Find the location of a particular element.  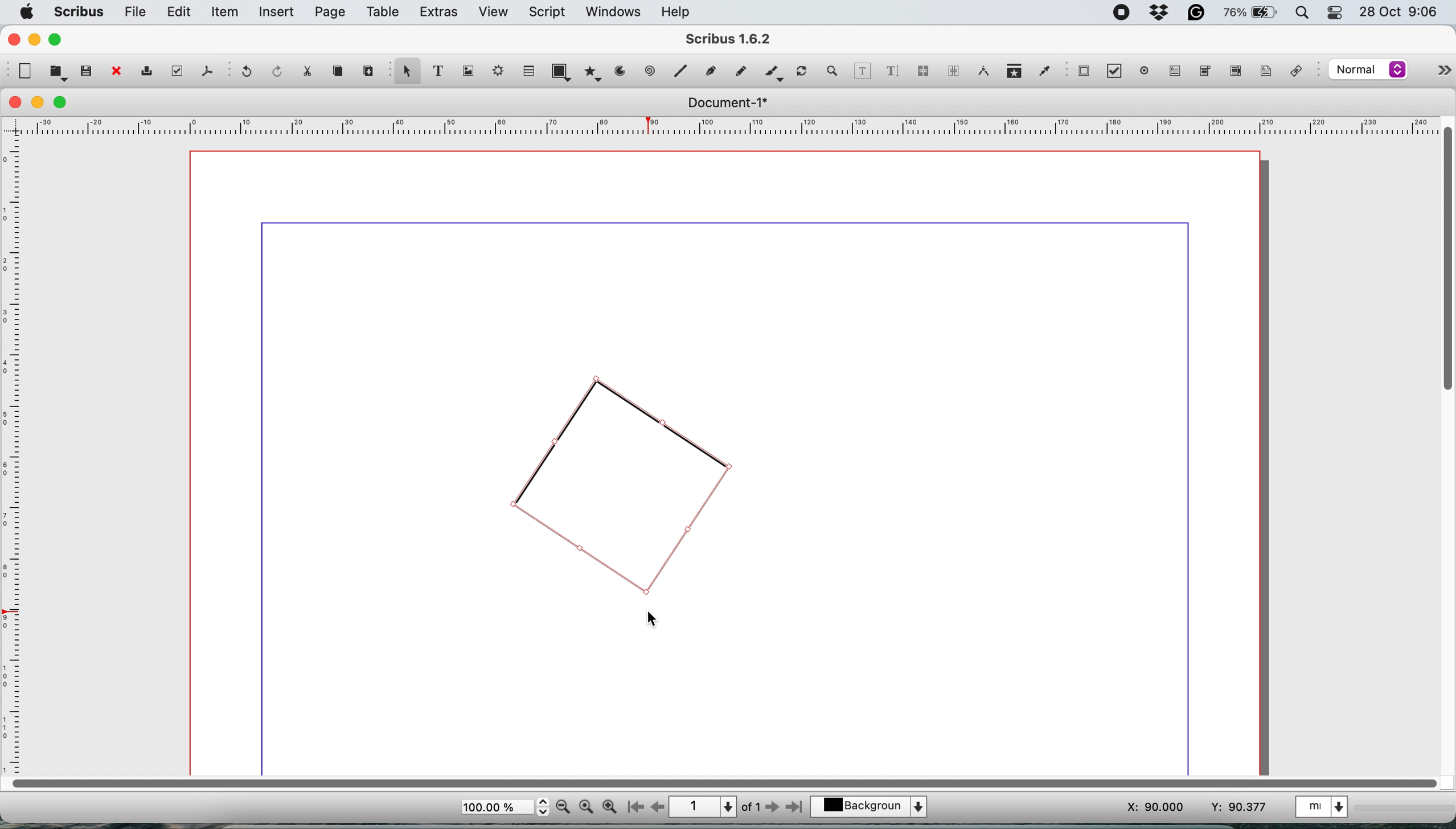

copy item properties is located at coordinates (1012, 72).